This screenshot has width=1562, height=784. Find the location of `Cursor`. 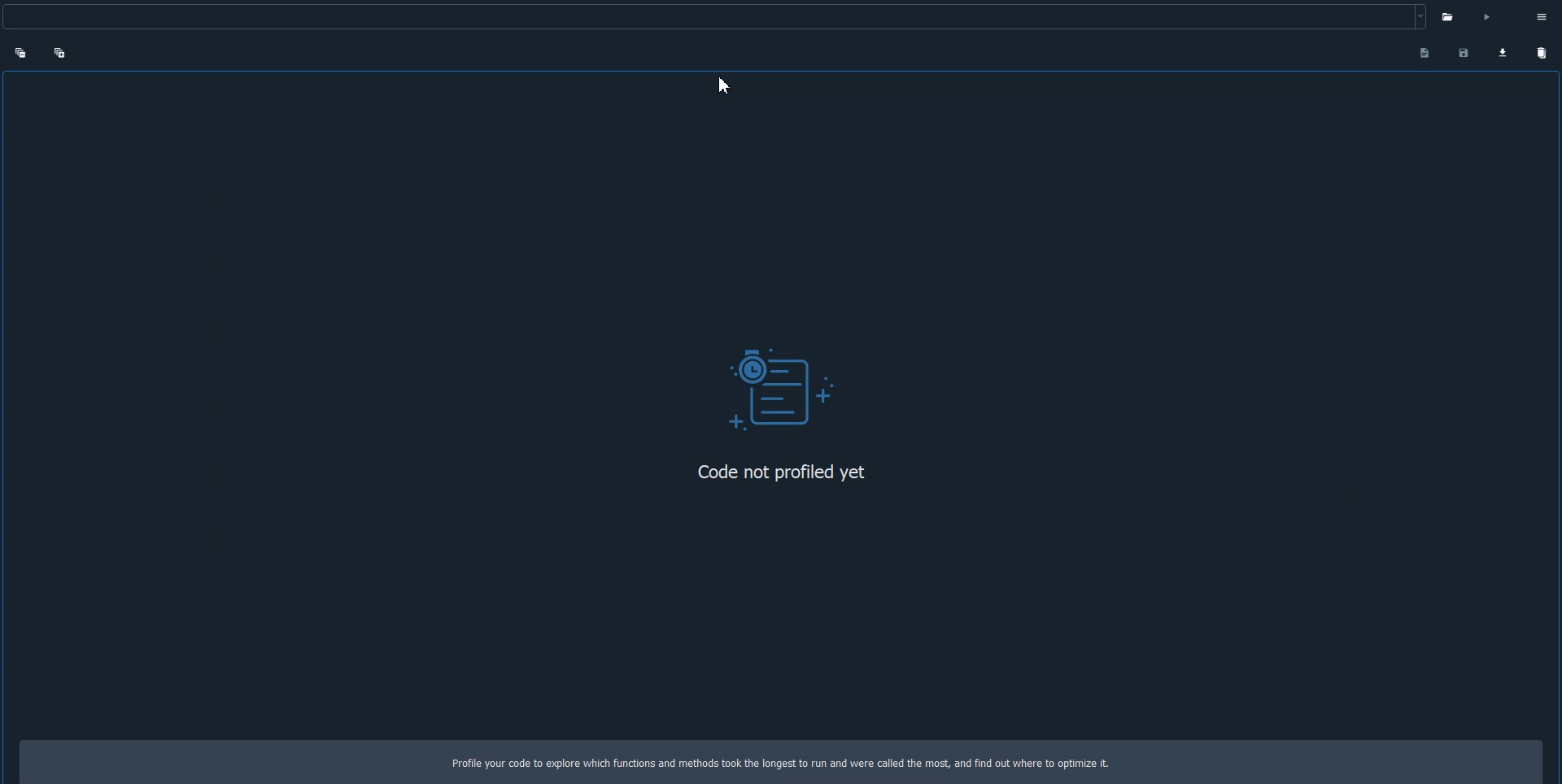

Cursor is located at coordinates (726, 86).